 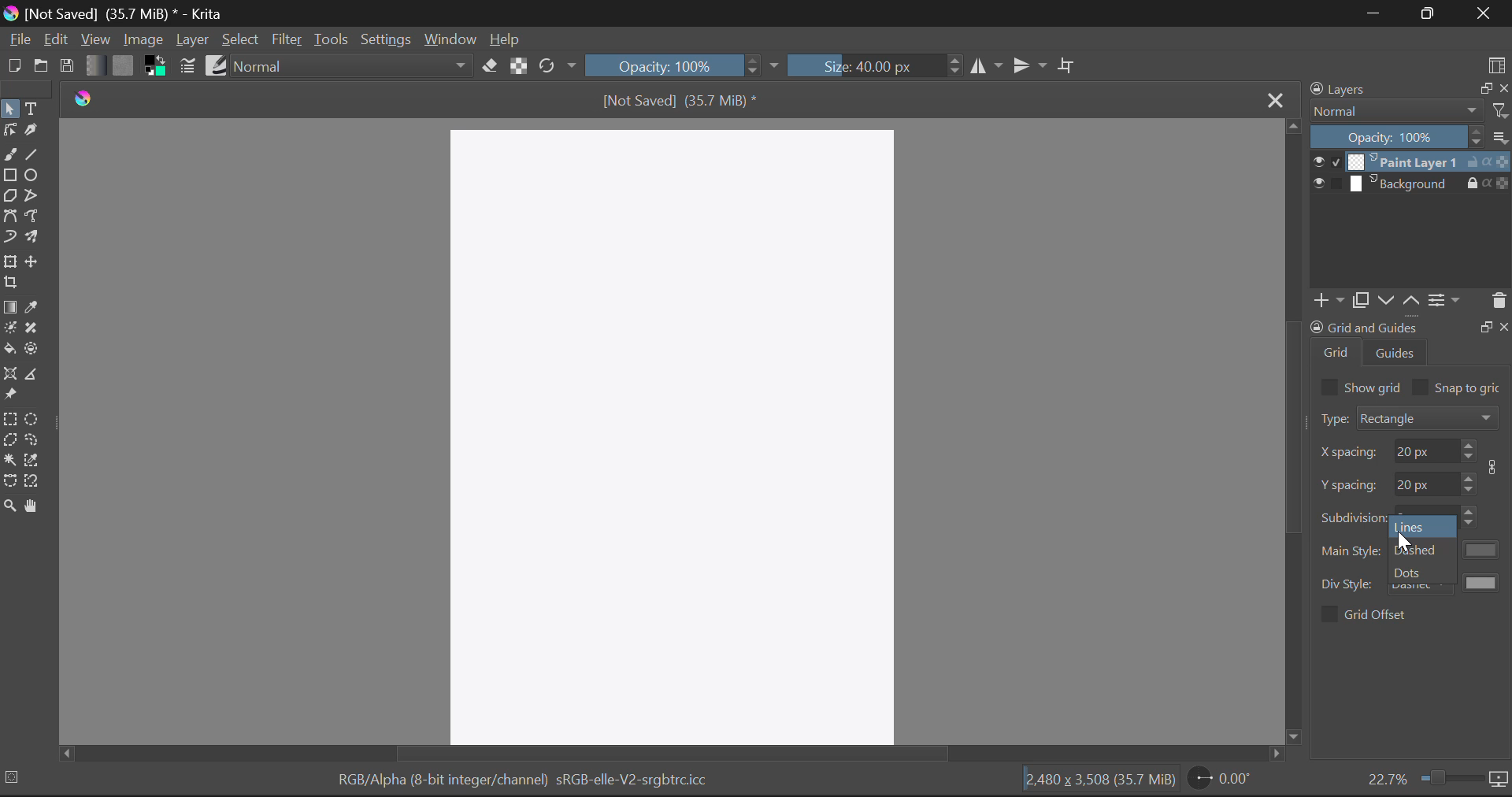 What do you see at coordinates (1337, 352) in the screenshot?
I see `grid` at bounding box center [1337, 352].